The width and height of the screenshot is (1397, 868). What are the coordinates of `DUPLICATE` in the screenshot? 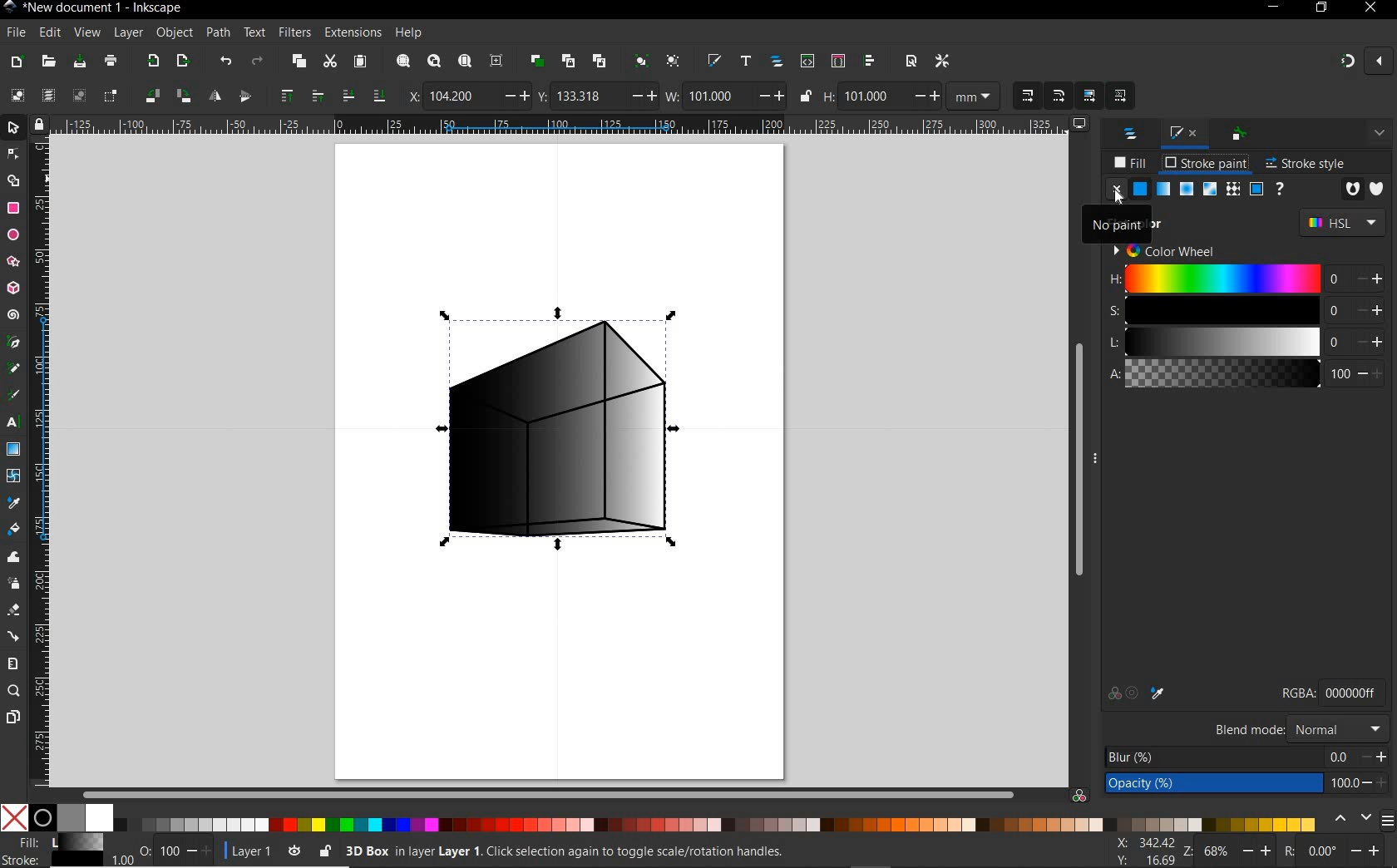 It's located at (537, 62).